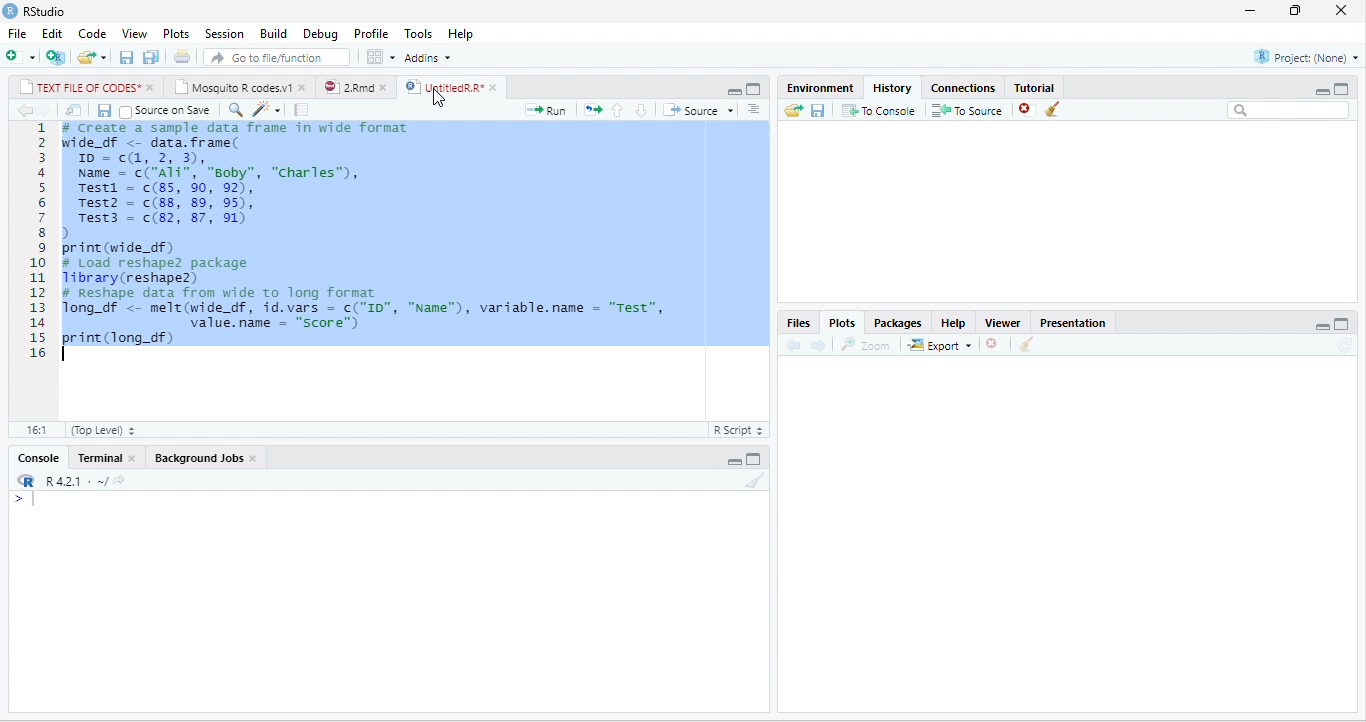 This screenshot has height=722, width=1366. What do you see at coordinates (968, 109) in the screenshot?
I see `To Source` at bounding box center [968, 109].